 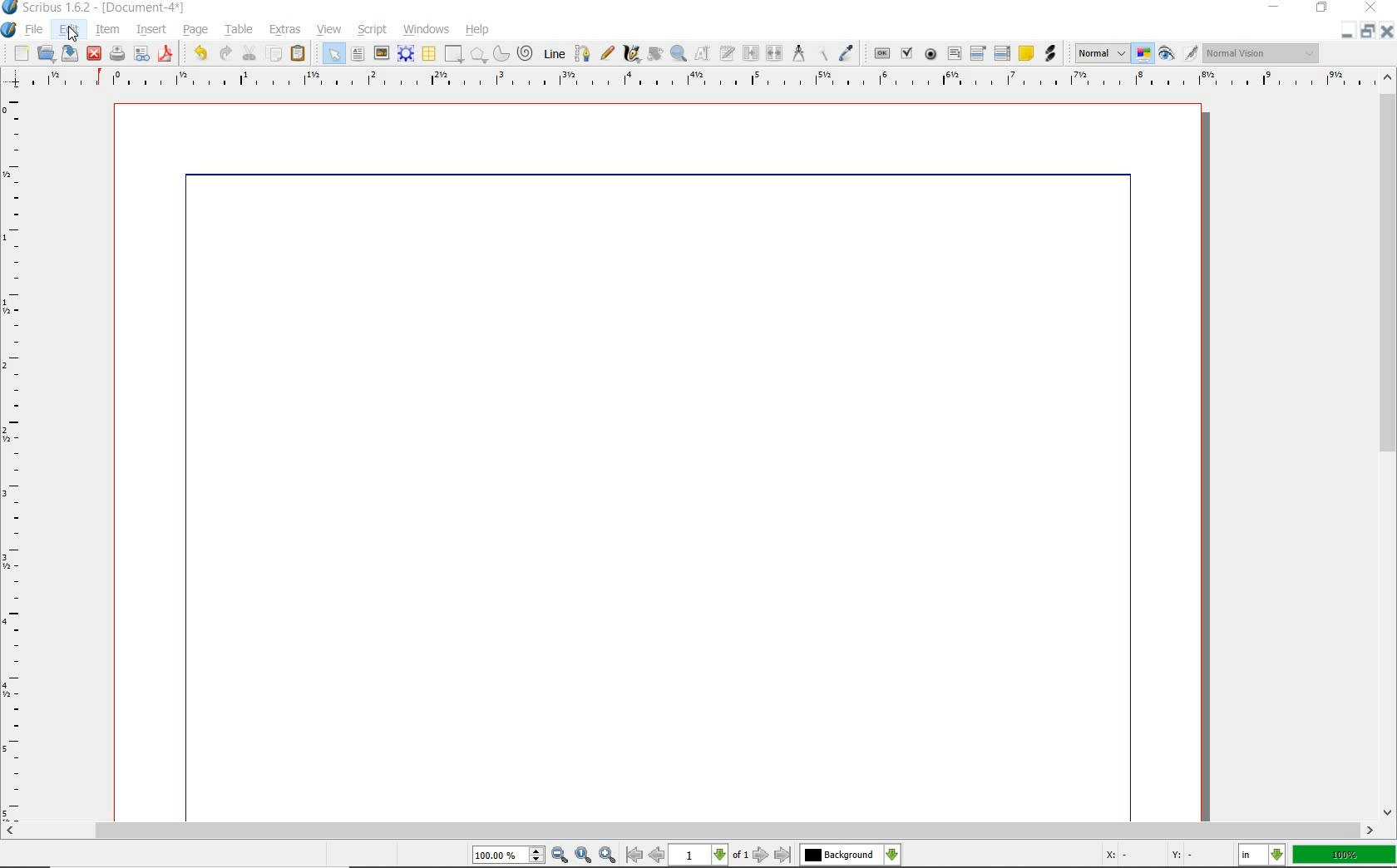 I want to click on cut, so click(x=249, y=52).